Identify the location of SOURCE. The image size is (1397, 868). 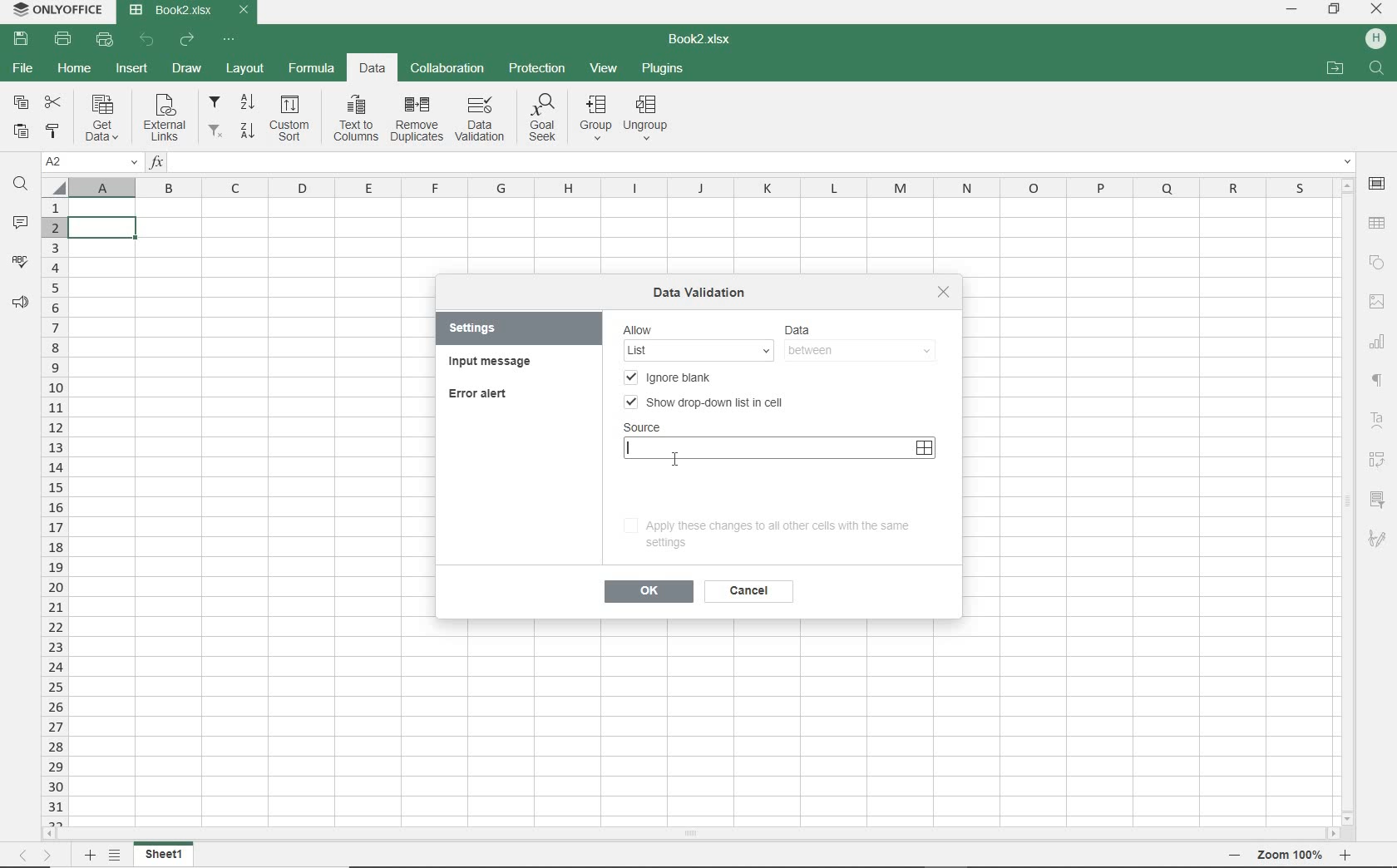
(642, 427).